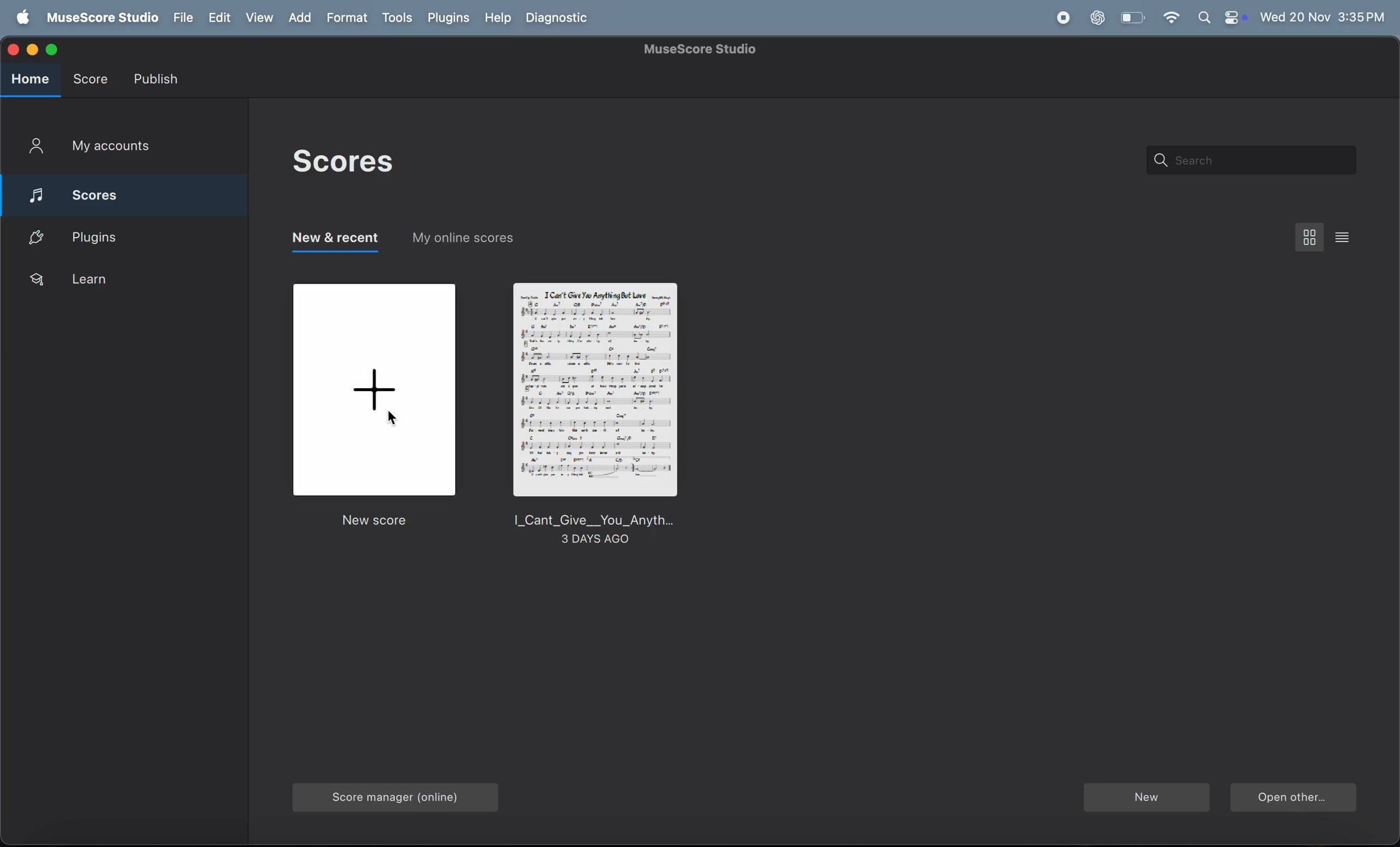 This screenshot has width=1400, height=847. What do you see at coordinates (448, 18) in the screenshot?
I see `plugins` at bounding box center [448, 18].